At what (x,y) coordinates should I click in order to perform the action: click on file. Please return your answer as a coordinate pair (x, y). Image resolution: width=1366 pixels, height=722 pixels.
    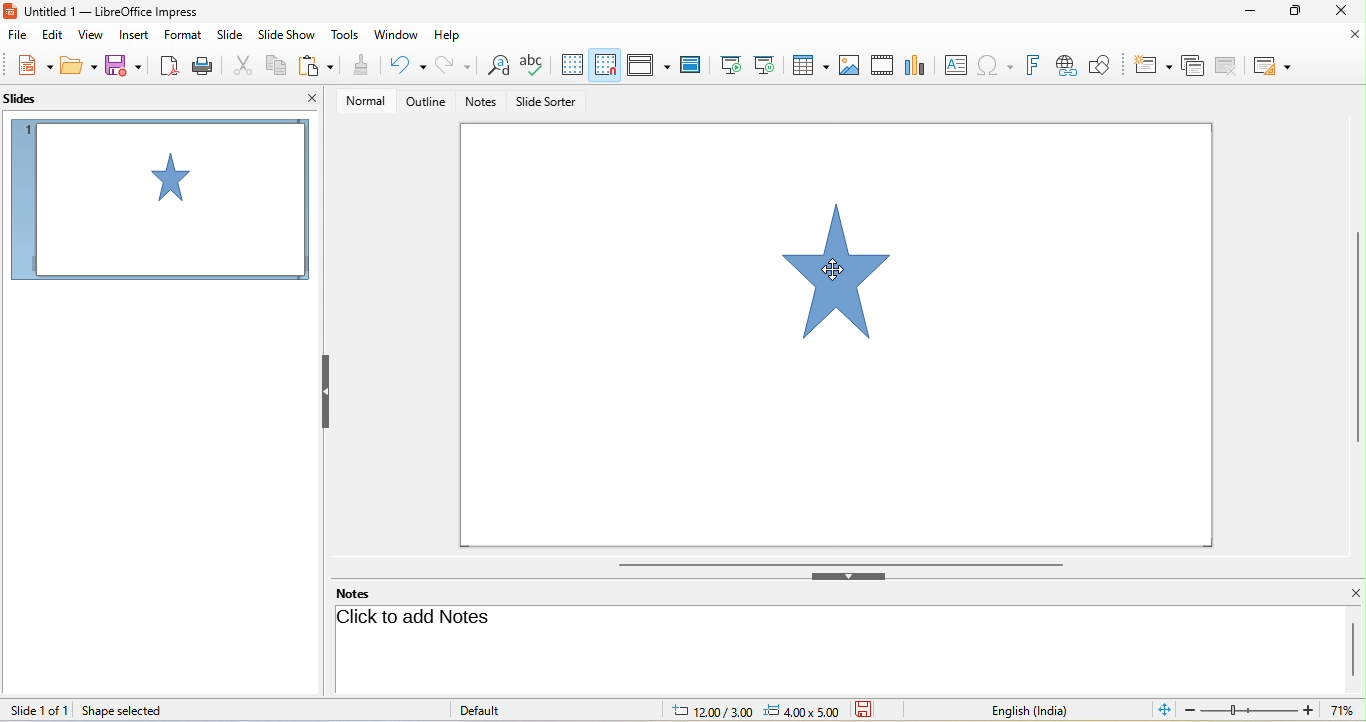
    Looking at the image, I should click on (18, 36).